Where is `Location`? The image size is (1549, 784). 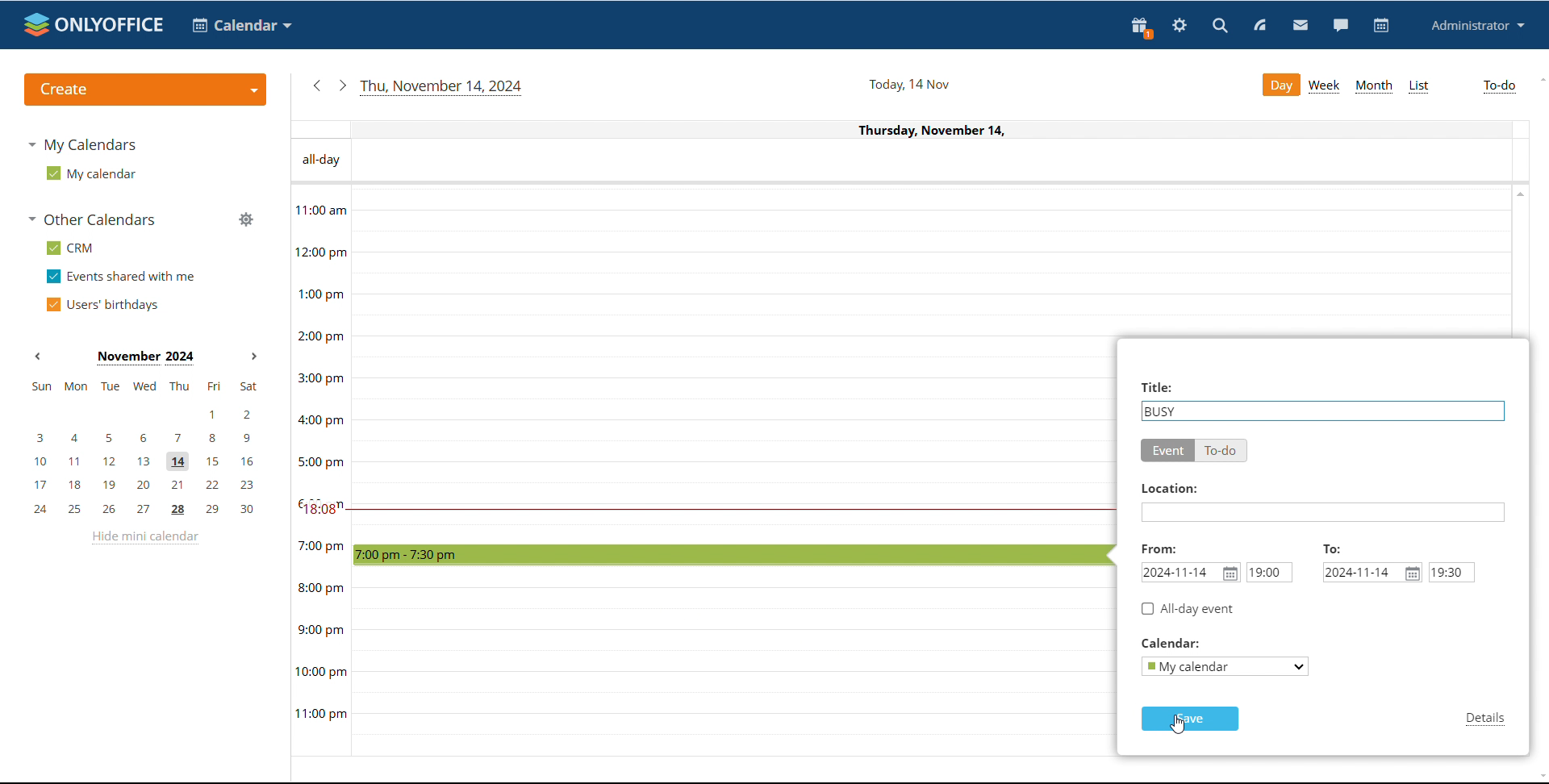 Location is located at coordinates (1169, 488).